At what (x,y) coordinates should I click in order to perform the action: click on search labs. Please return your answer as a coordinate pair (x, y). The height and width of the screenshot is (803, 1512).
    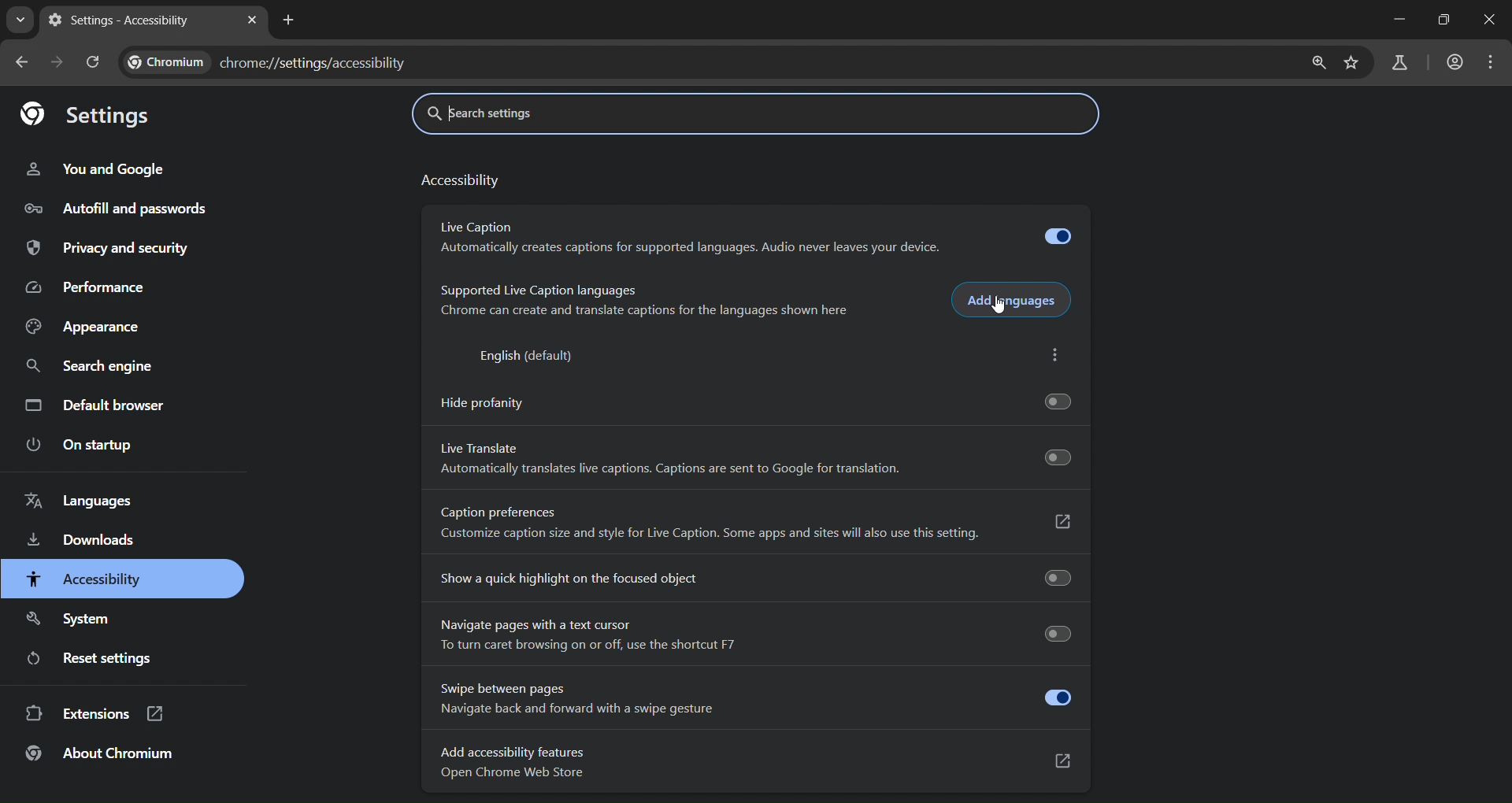
    Looking at the image, I should click on (1399, 65).